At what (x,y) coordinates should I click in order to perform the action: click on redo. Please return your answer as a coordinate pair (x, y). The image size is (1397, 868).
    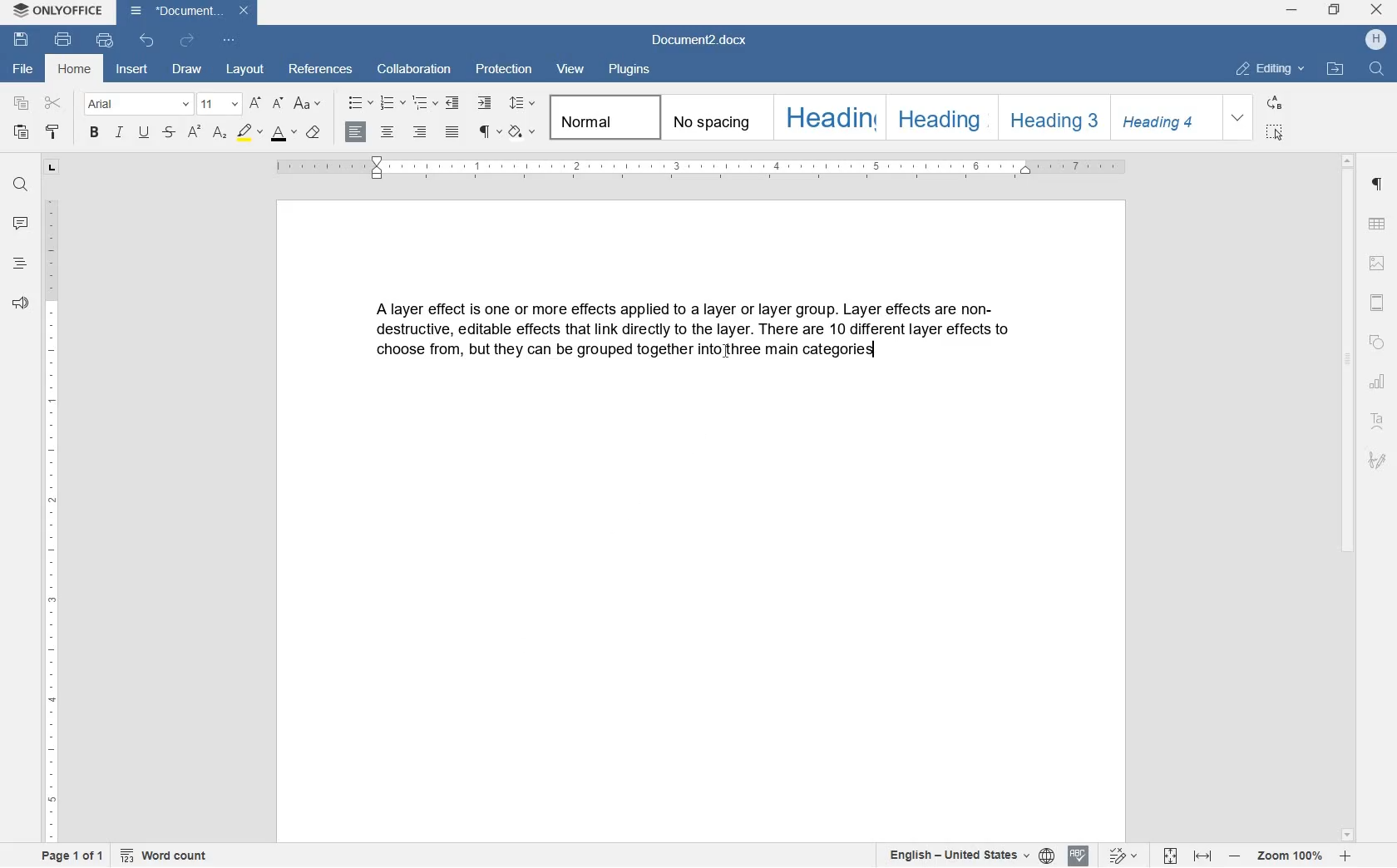
    Looking at the image, I should click on (186, 41).